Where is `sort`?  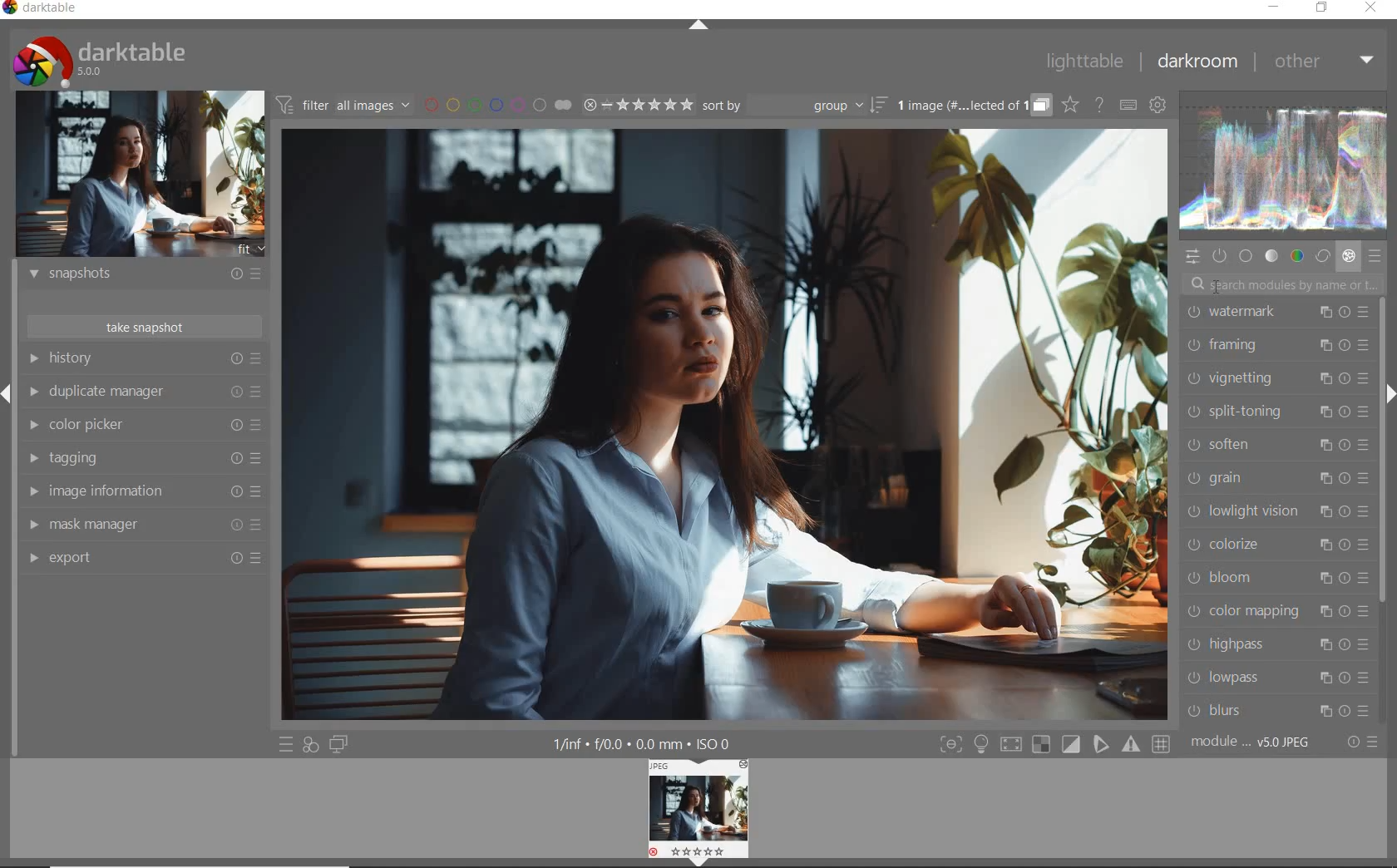
sort is located at coordinates (794, 106).